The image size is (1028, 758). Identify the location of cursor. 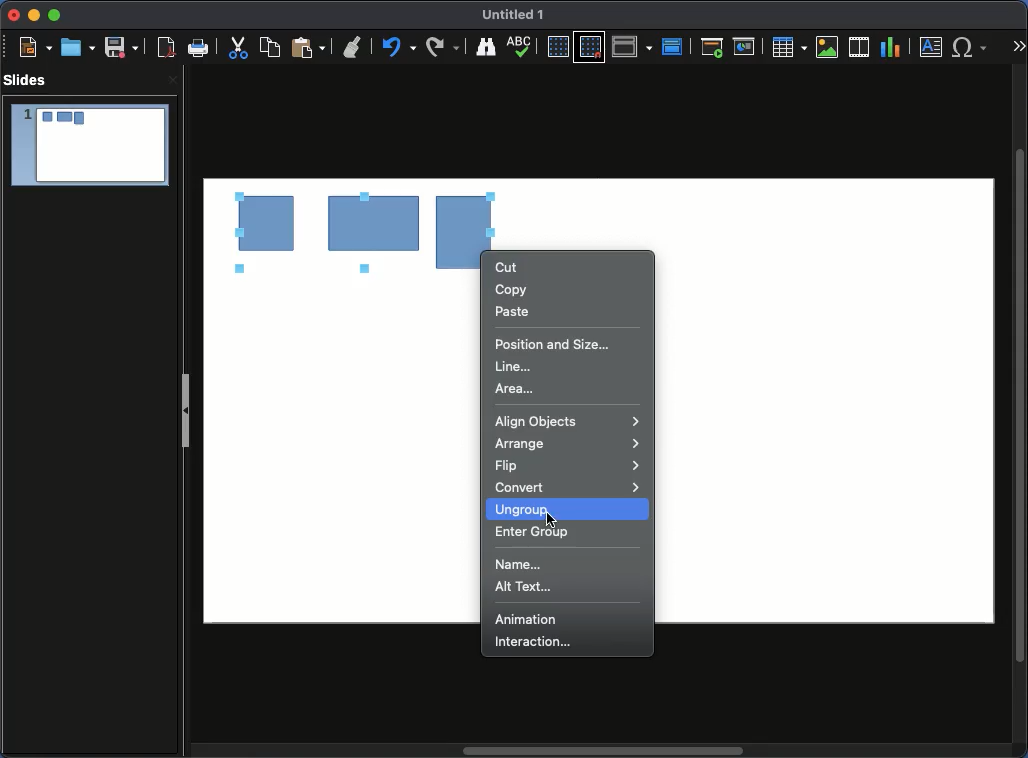
(553, 517).